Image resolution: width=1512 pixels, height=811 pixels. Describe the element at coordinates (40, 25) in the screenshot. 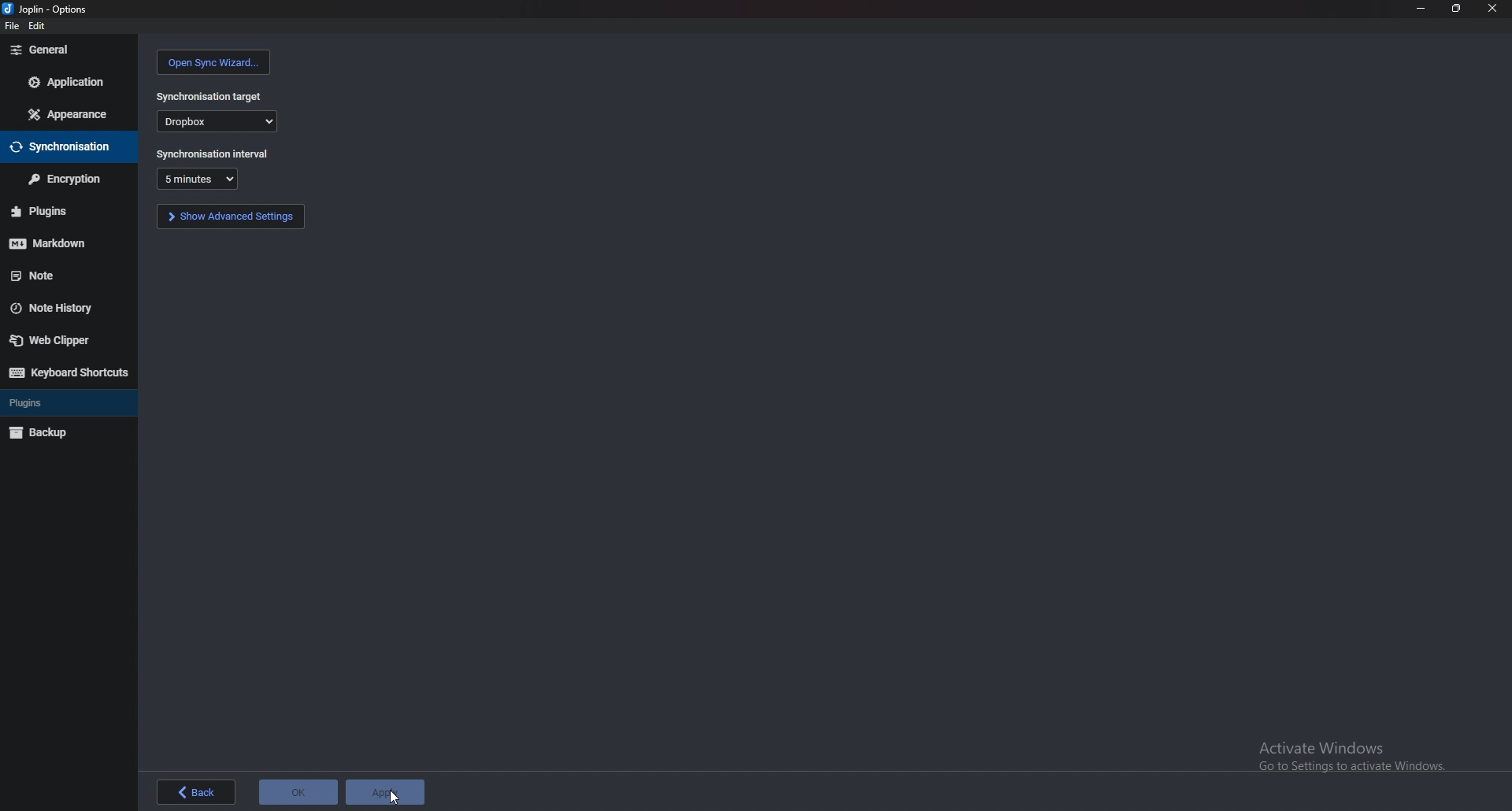

I see `edit` at that location.